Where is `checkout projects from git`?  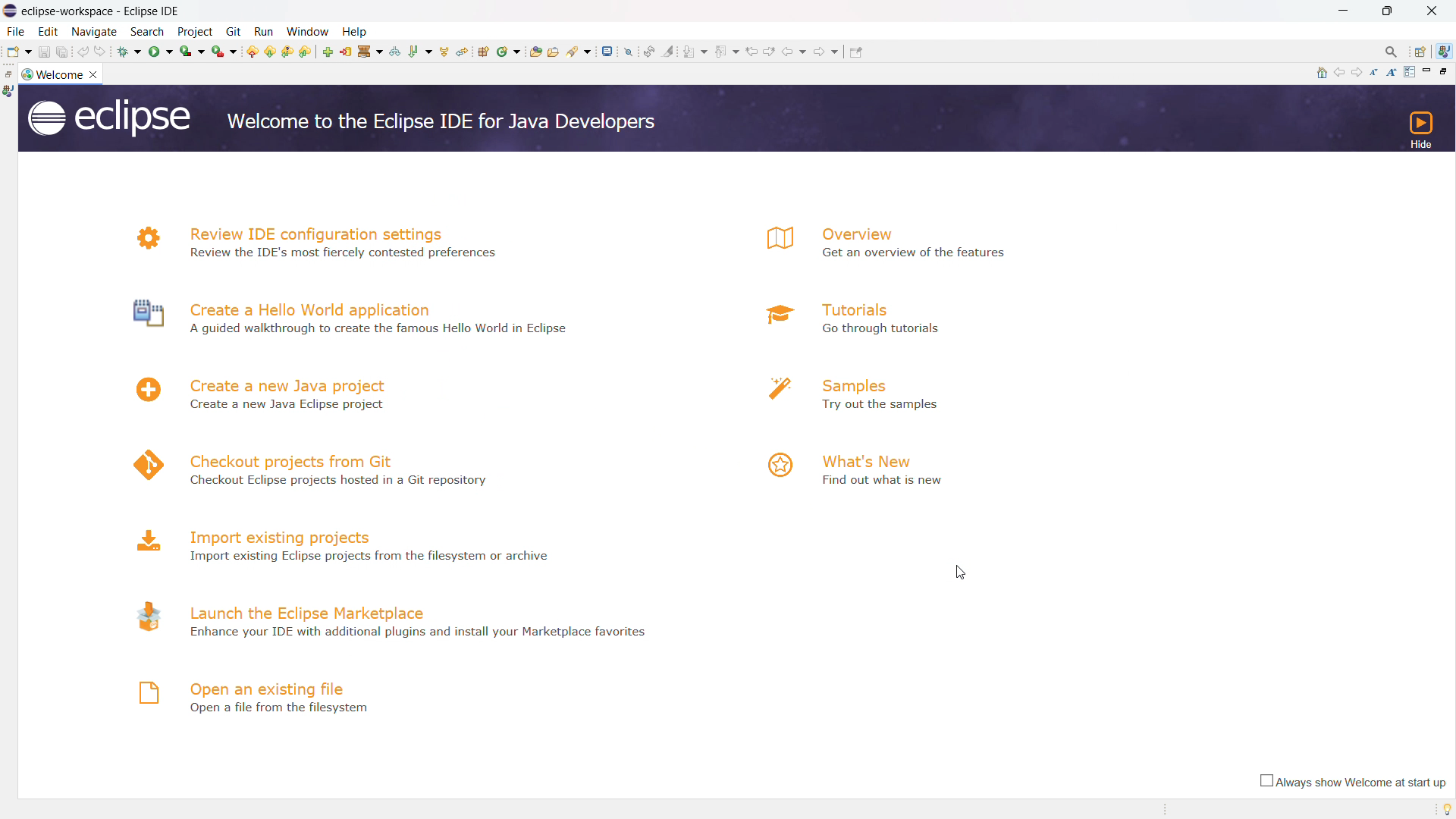 checkout projects from git is located at coordinates (293, 460).